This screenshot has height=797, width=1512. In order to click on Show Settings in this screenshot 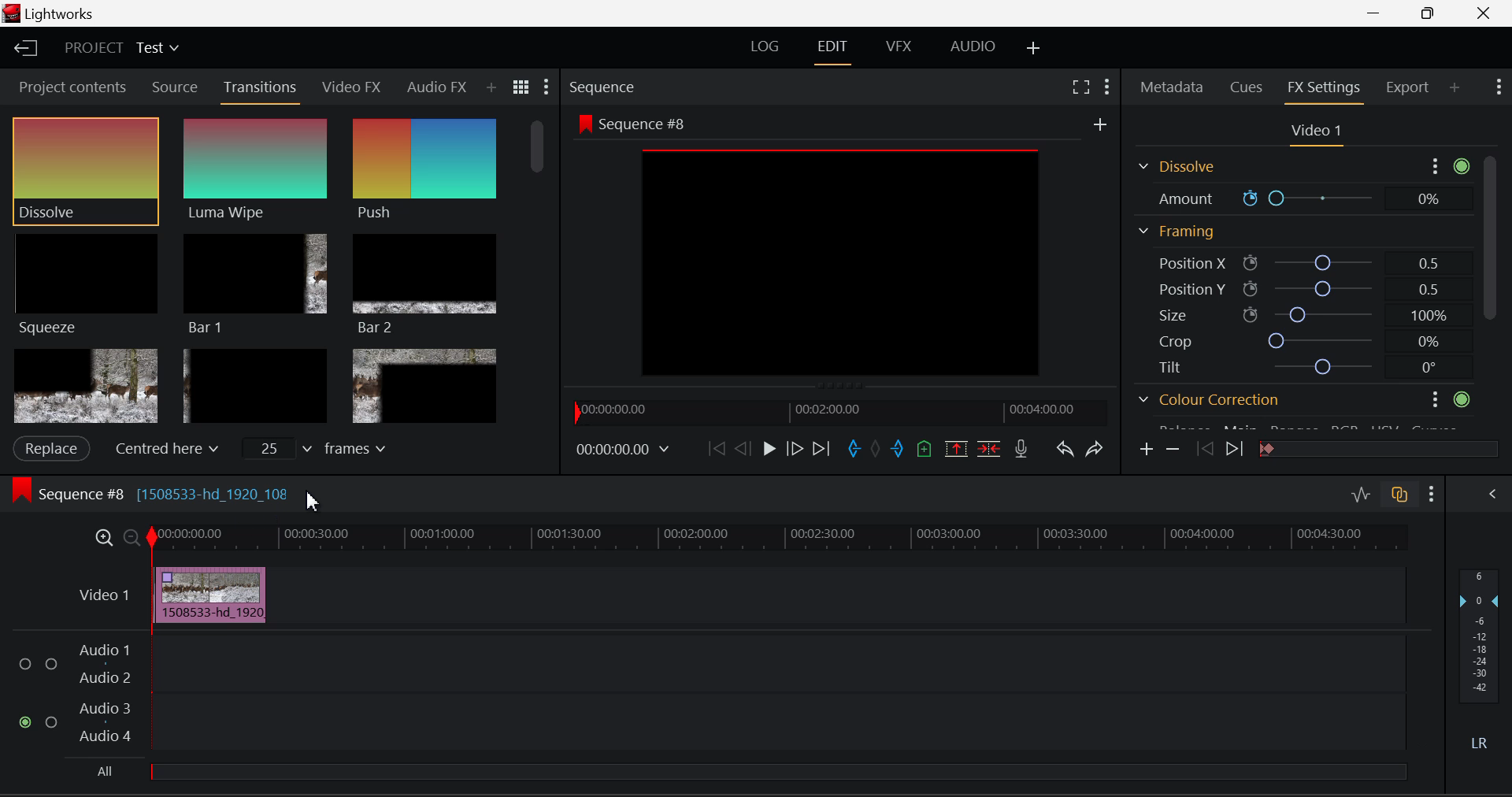, I will do `click(1501, 87)`.